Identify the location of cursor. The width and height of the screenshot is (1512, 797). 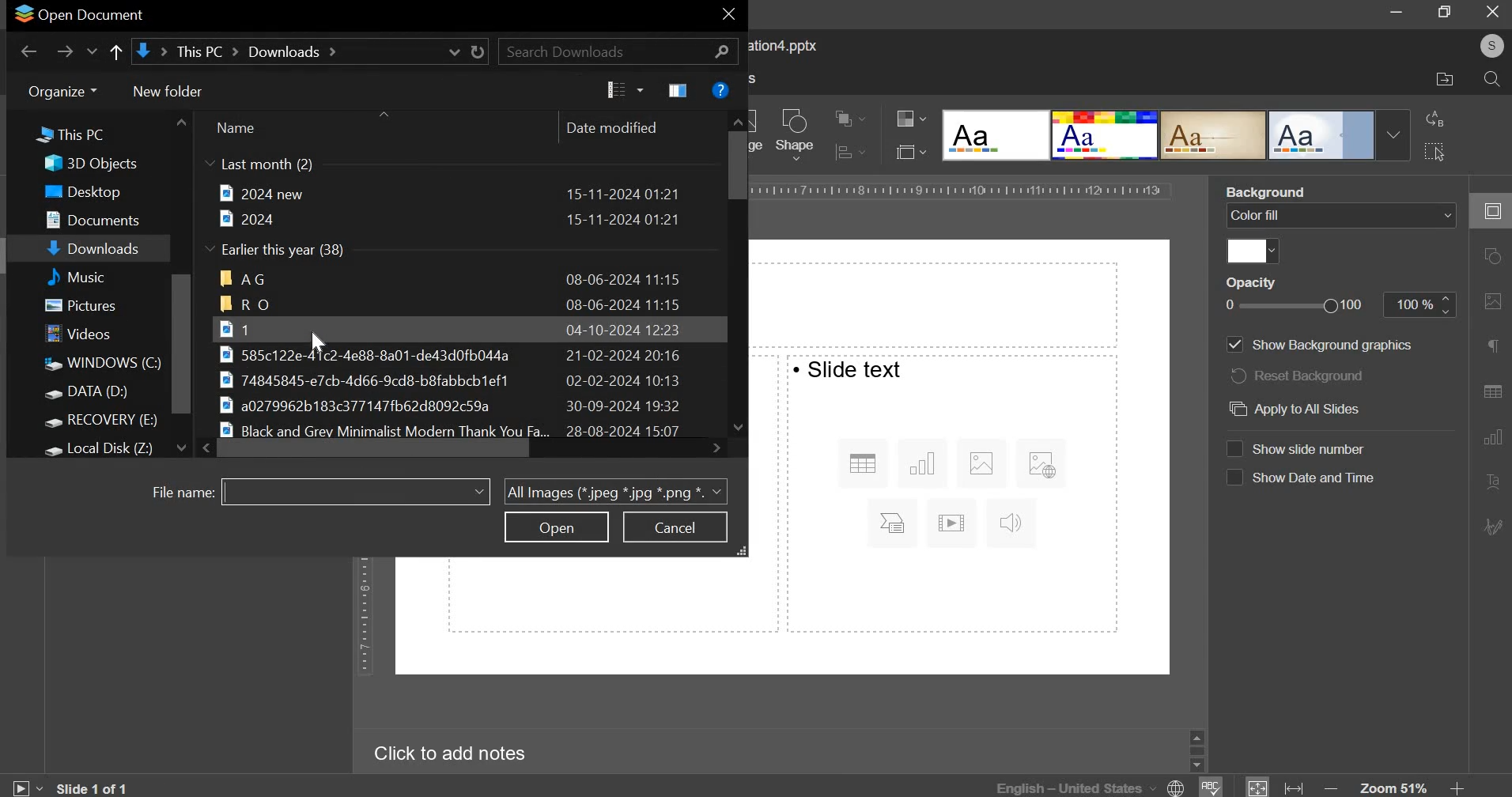
(323, 342).